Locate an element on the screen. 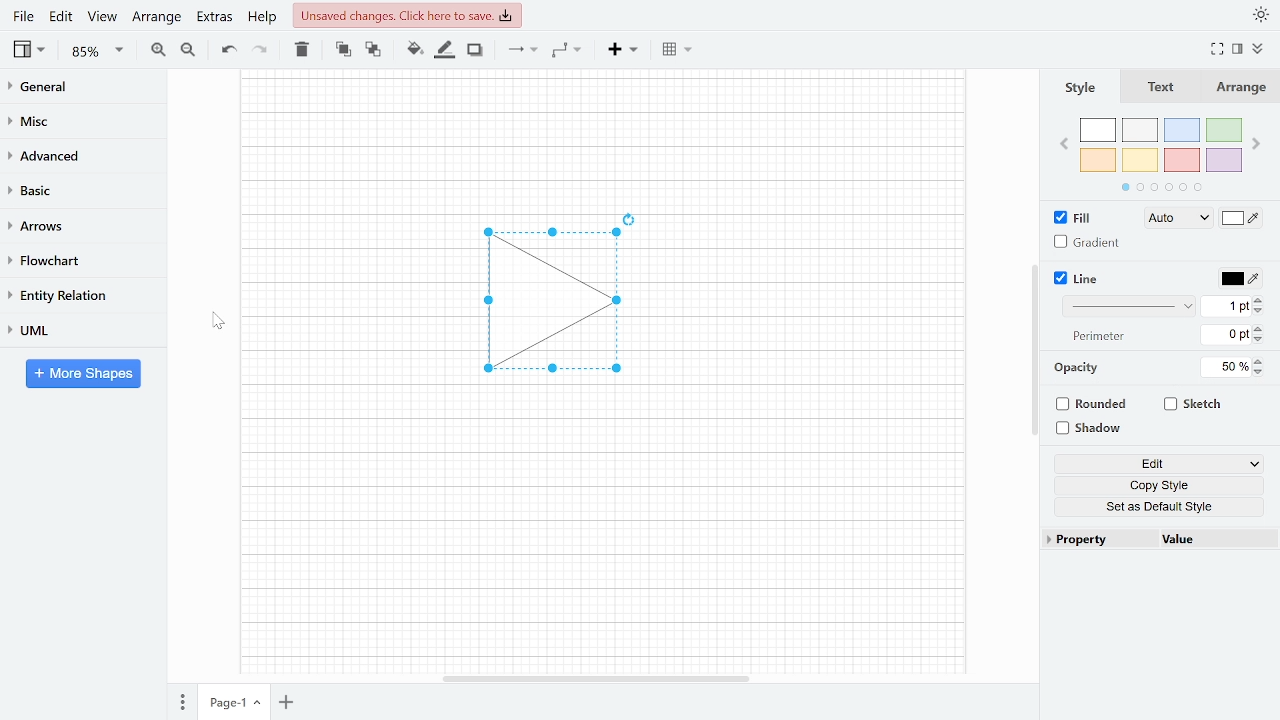  Triangle is located at coordinates (563, 307).